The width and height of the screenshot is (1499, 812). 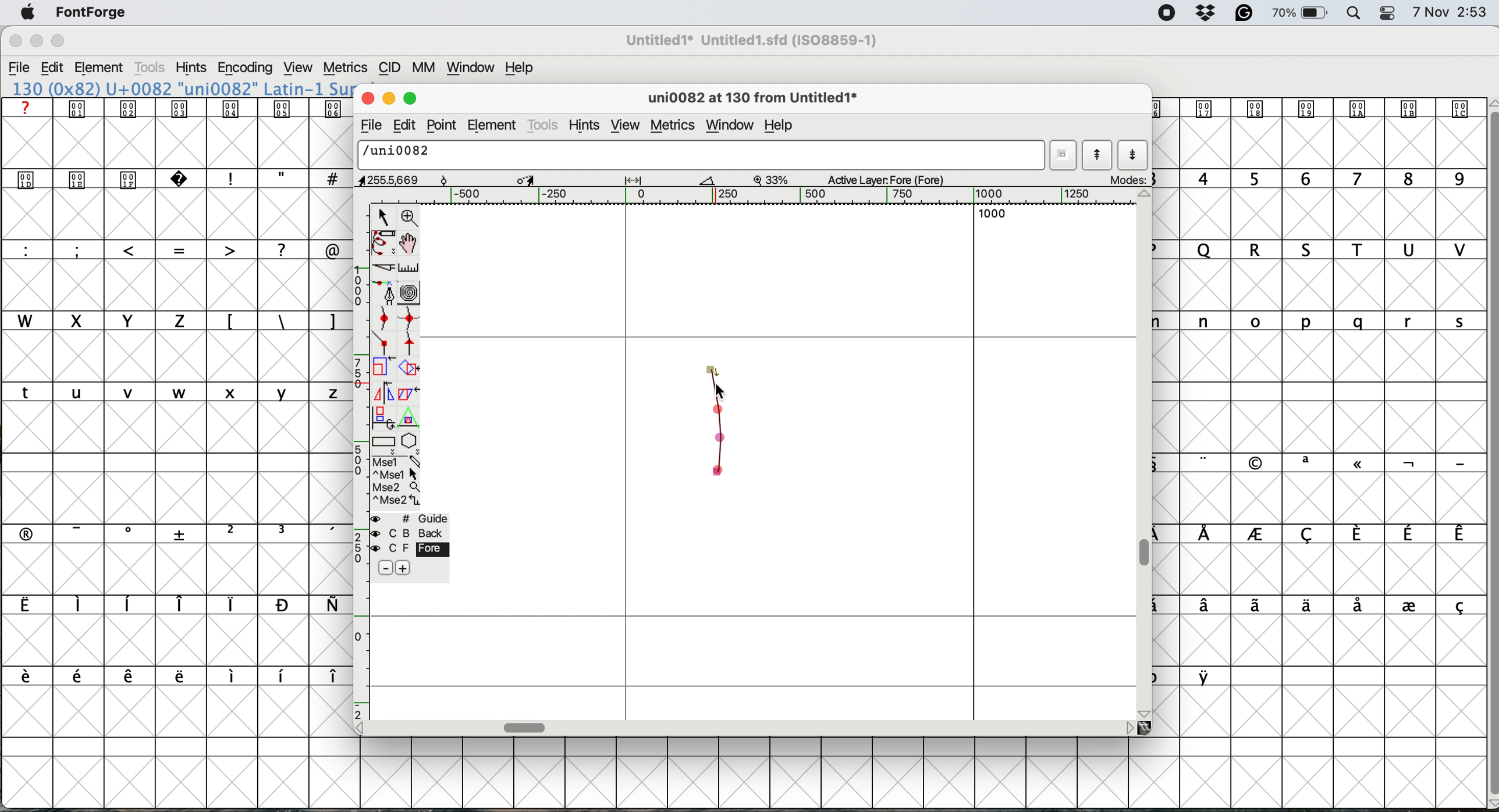 I want to click on vertical scroll bar, so click(x=1486, y=450).